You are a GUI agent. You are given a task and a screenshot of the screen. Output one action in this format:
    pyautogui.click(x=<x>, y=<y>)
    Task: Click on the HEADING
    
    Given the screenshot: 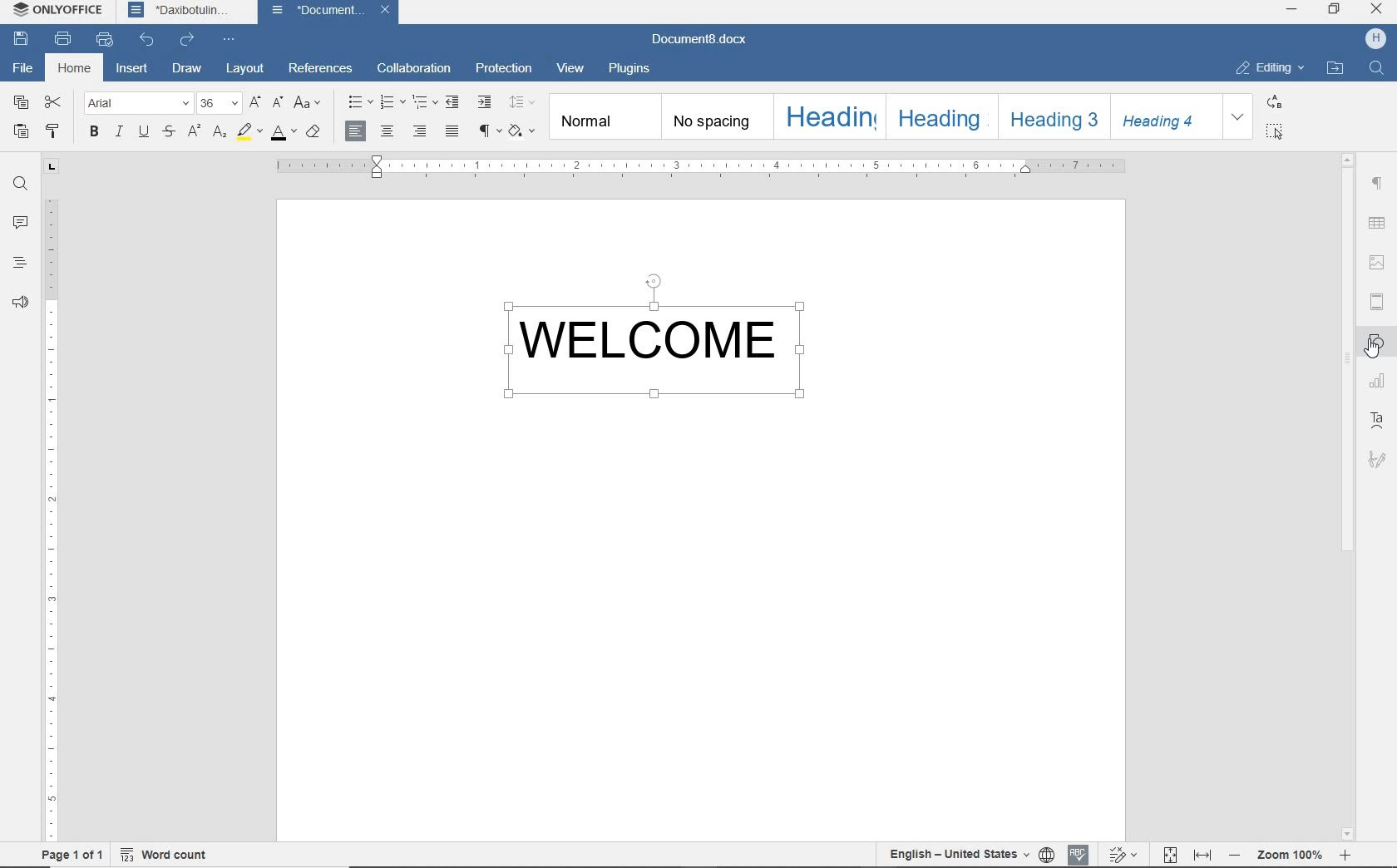 What is the action you would take?
    pyautogui.click(x=833, y=115)
    